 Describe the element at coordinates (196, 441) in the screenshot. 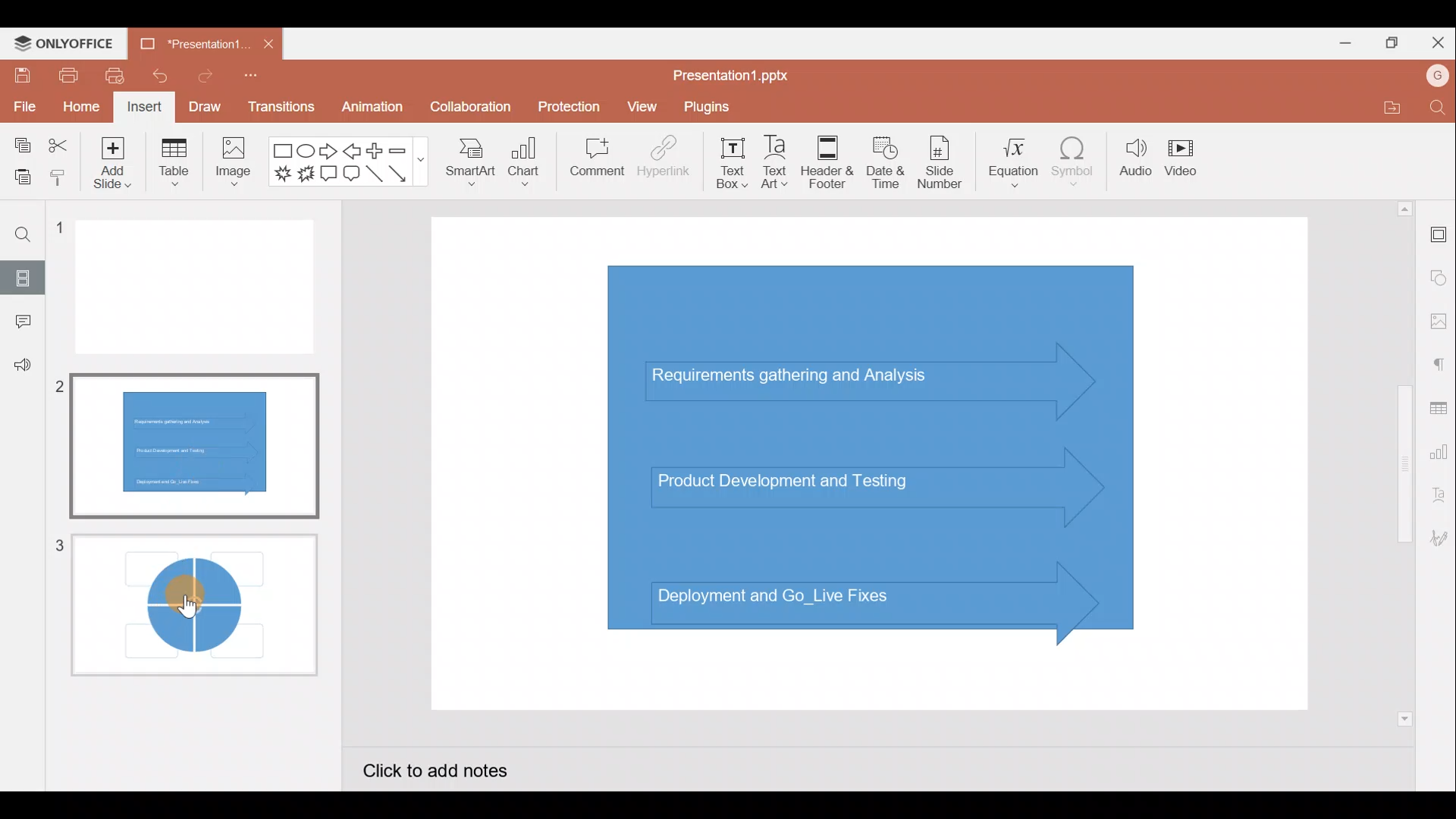

I see `Slide 2` at that location.